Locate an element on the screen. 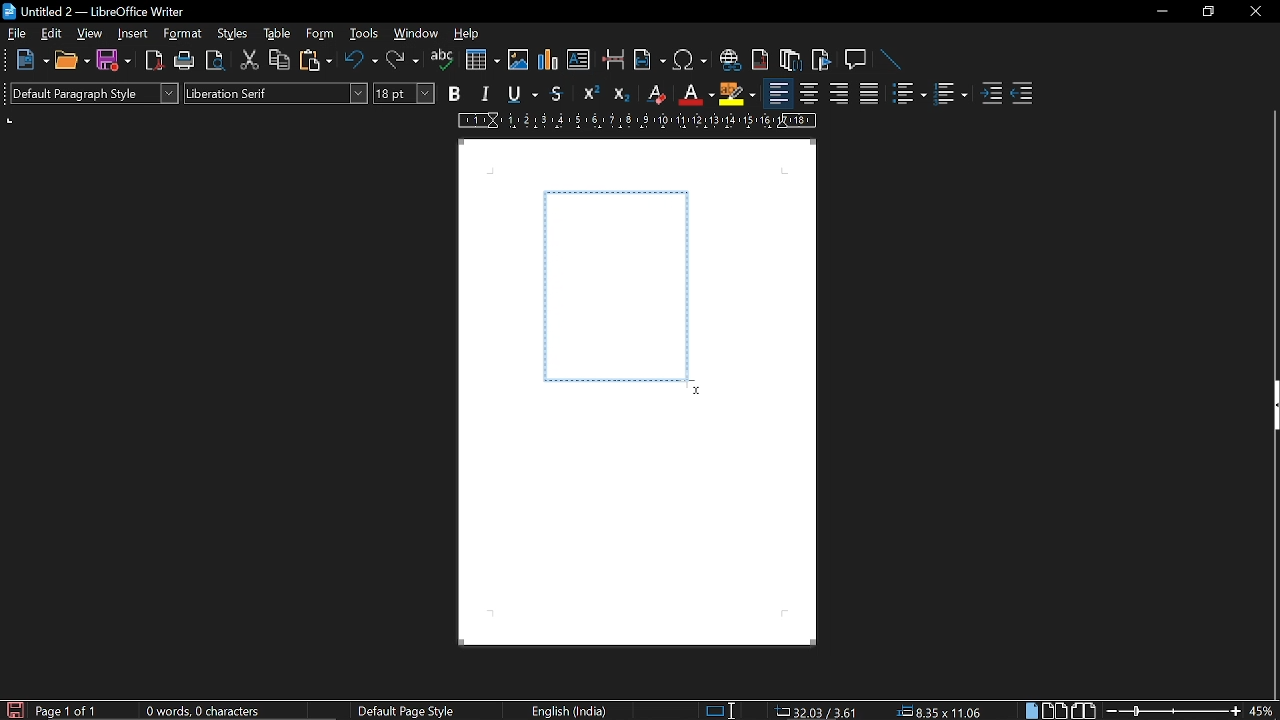 This screenshot has width=1280, height=720. 4.99/3.22 is located at coordinates (813, 710).